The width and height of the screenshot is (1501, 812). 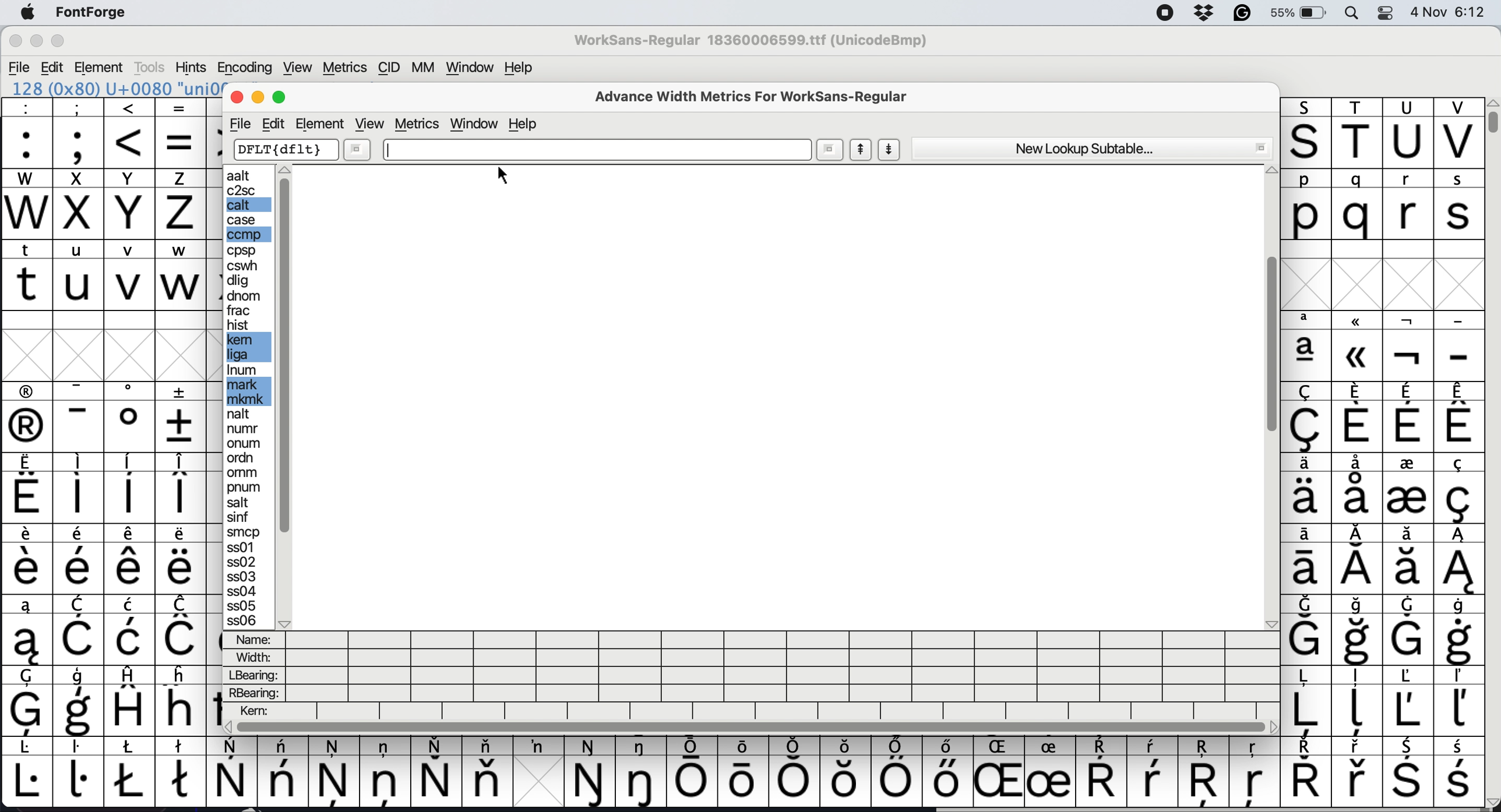 What do you see at coordinates (113, 249) in the screenshot?
I see `lowercase letters` at bounding box center [113, 249].